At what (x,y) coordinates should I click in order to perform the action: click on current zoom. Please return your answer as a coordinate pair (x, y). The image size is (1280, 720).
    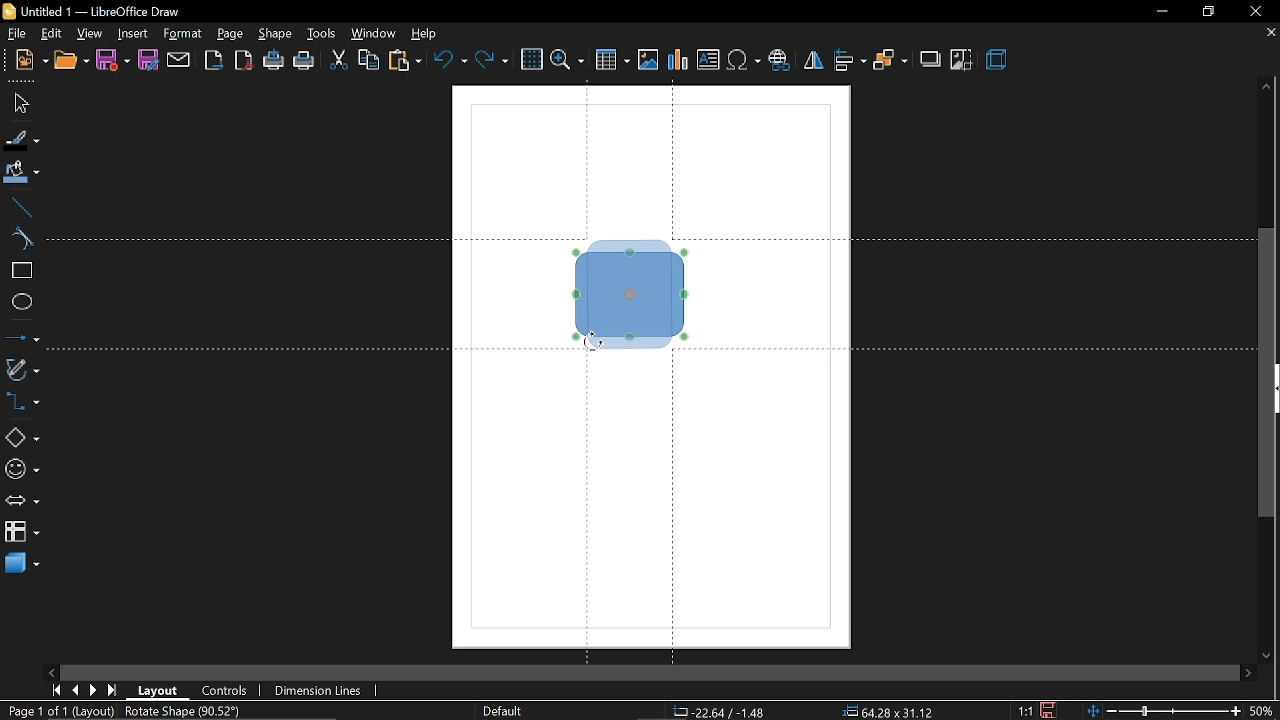
    Looking at the image, I should click on (1265, 712).